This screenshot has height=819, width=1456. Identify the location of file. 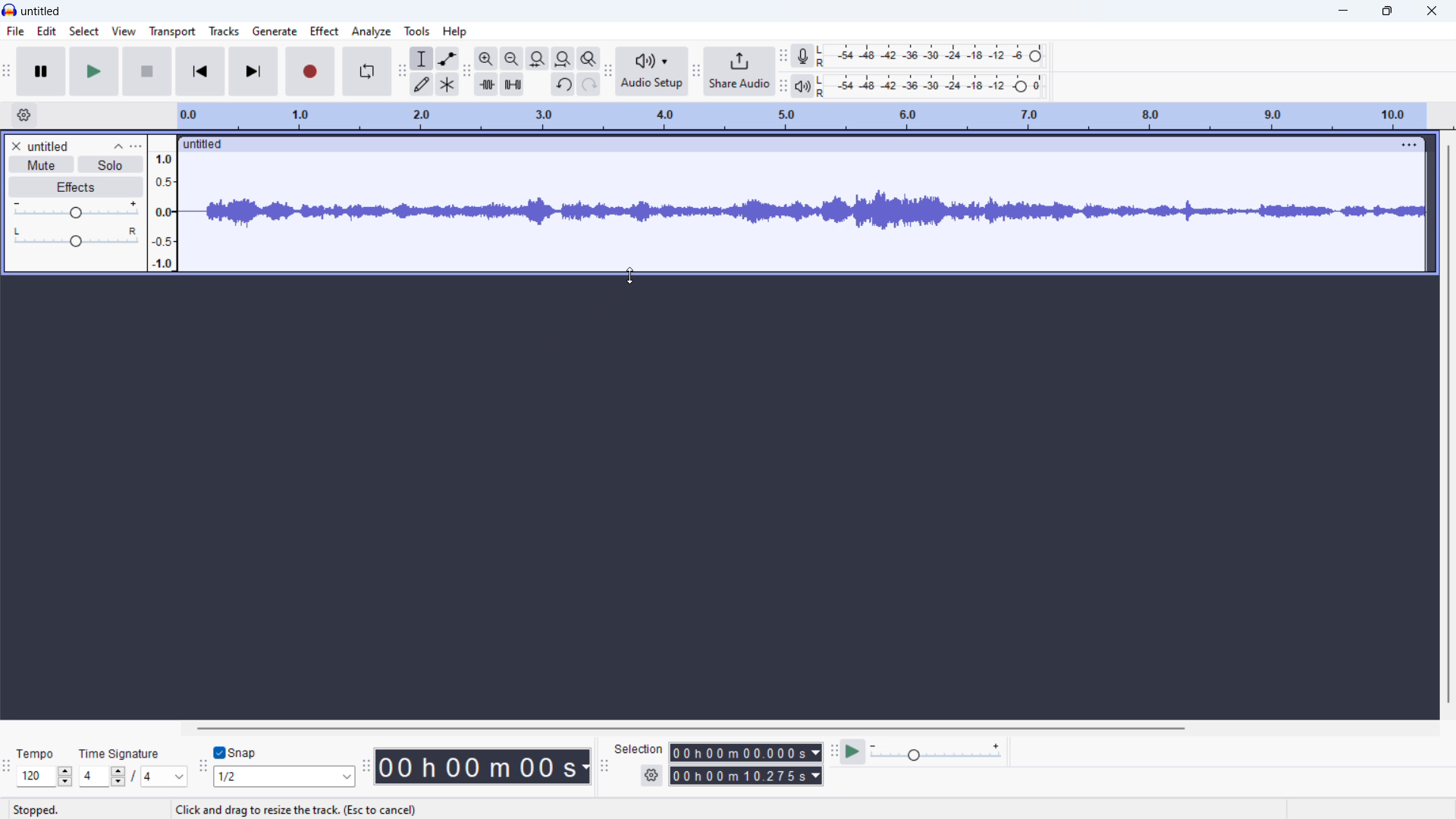
(16, 31).